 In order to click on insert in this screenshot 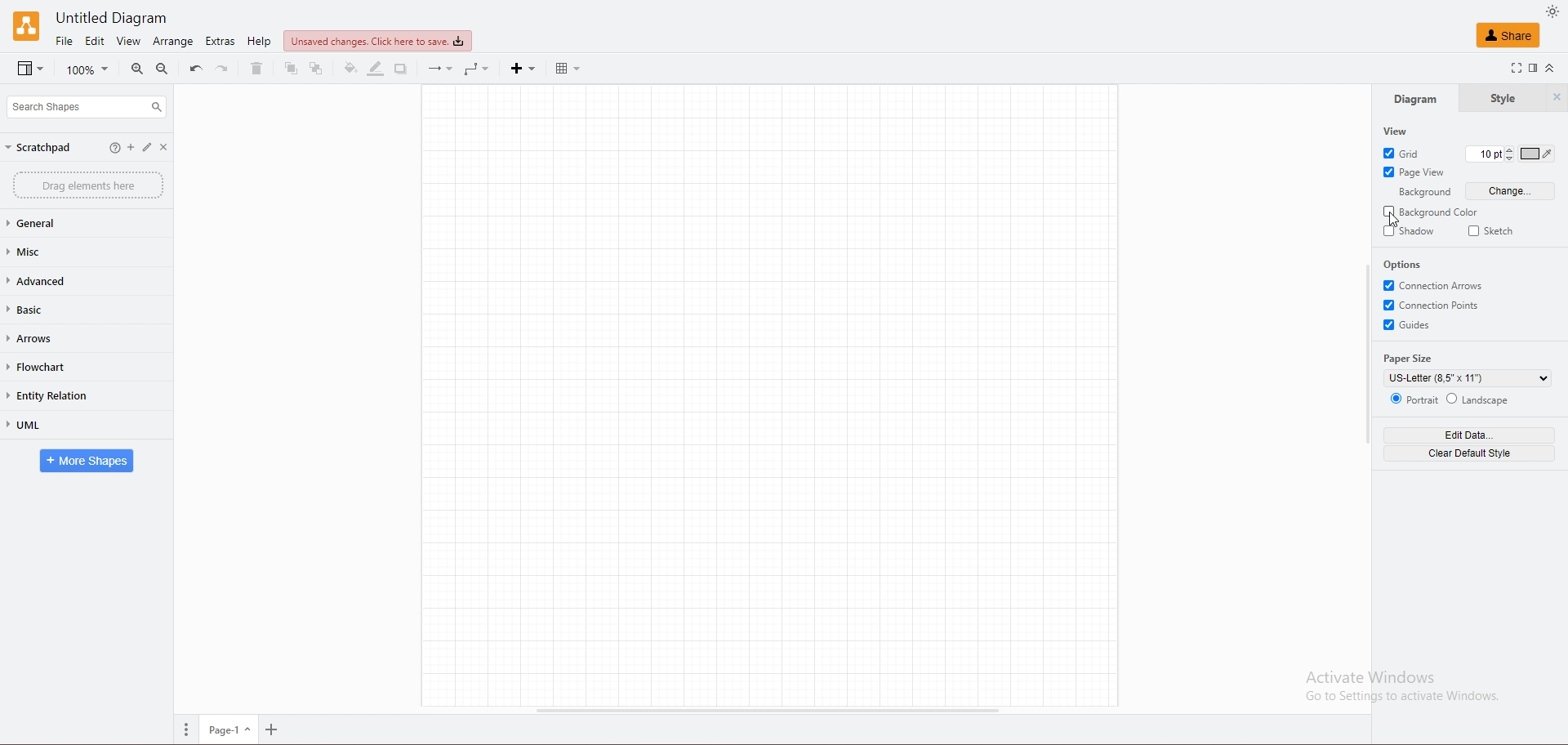, I will do `click(523, 69)`.